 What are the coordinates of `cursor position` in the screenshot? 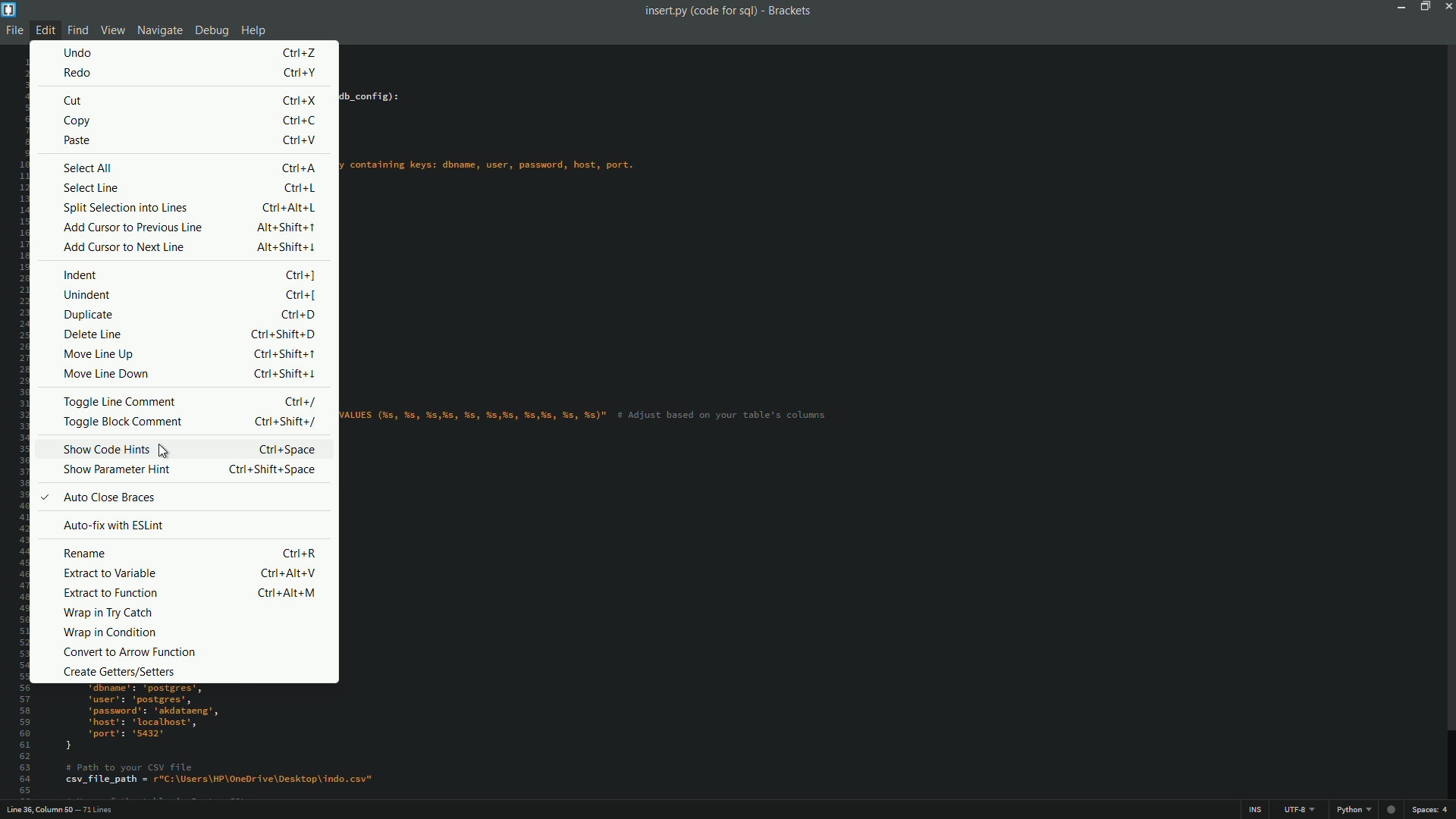 It's located at (39, 810).